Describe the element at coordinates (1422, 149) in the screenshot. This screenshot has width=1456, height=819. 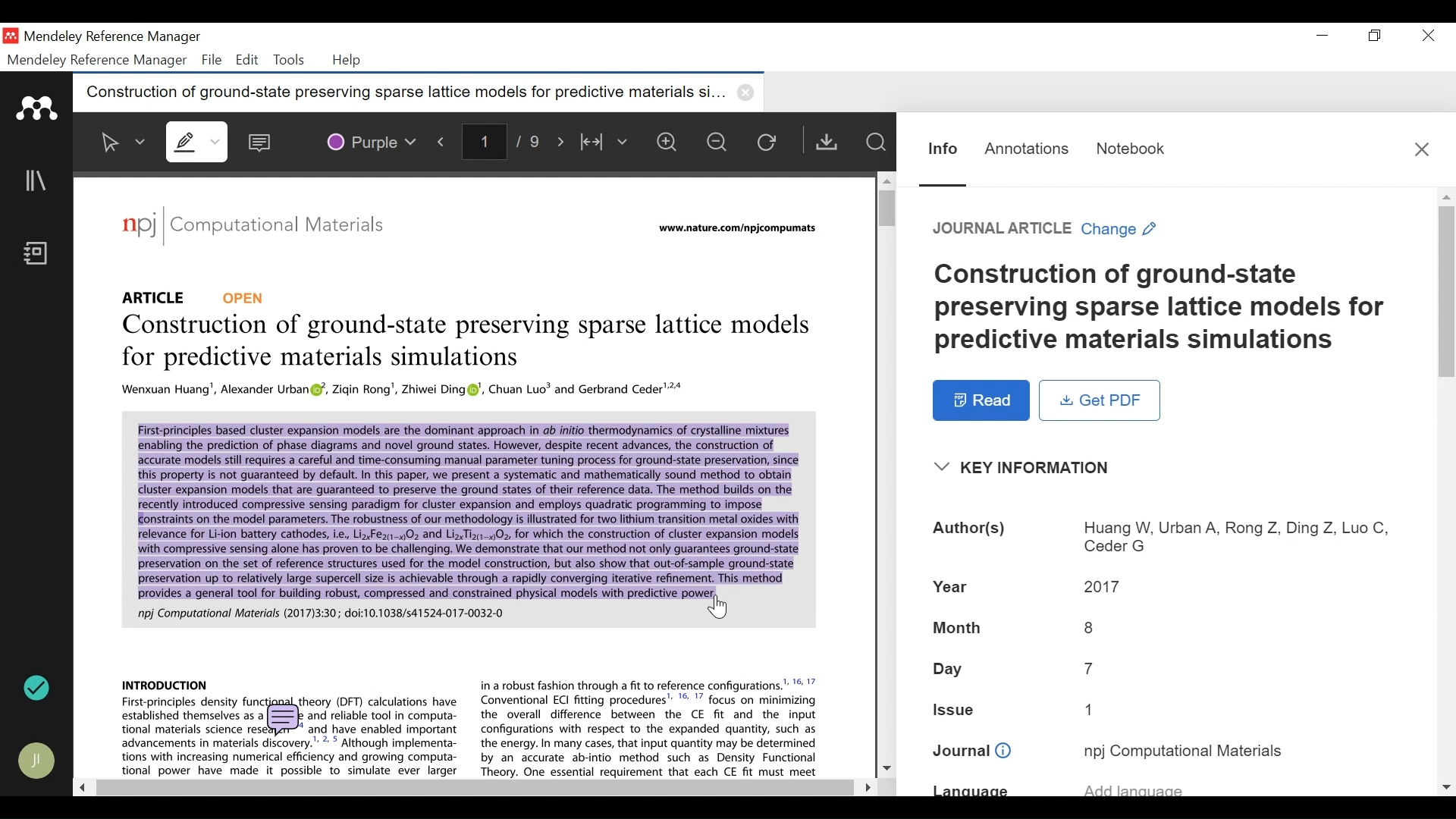
I see `Close` at that location.